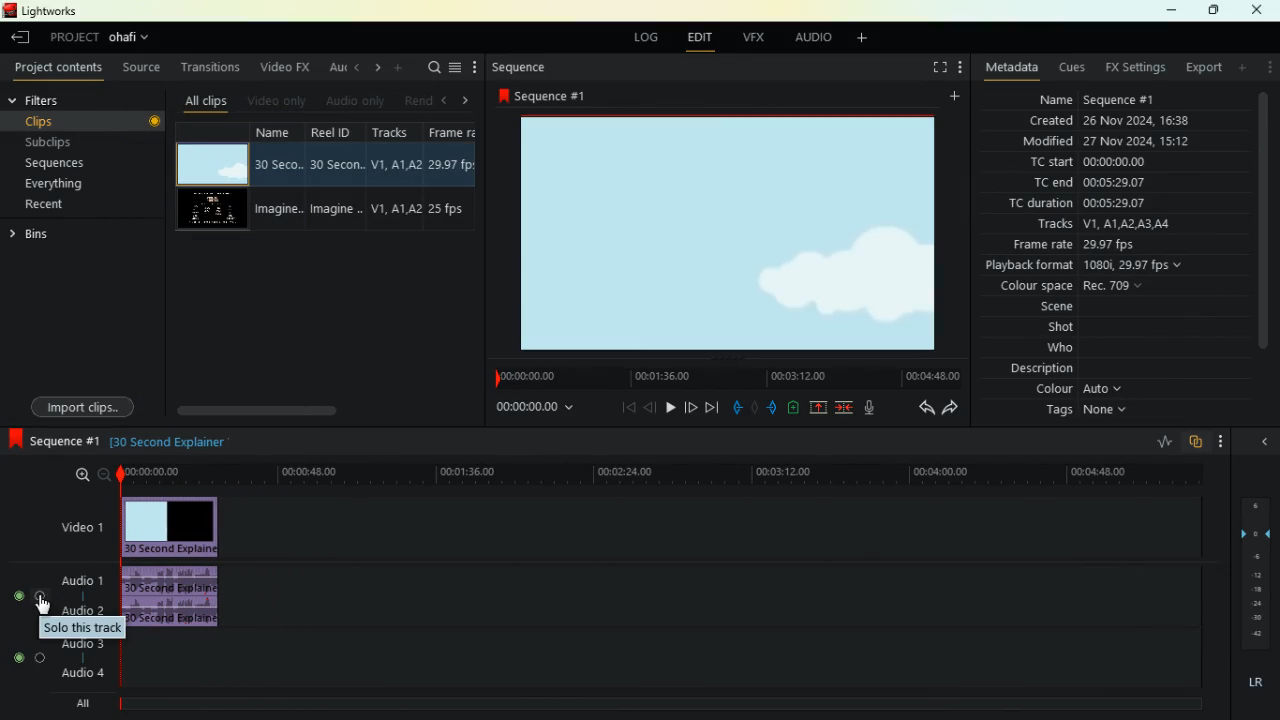 The height and width of the screenshot is (720, 1280). I want to click on minimize, so click(1171, 10).